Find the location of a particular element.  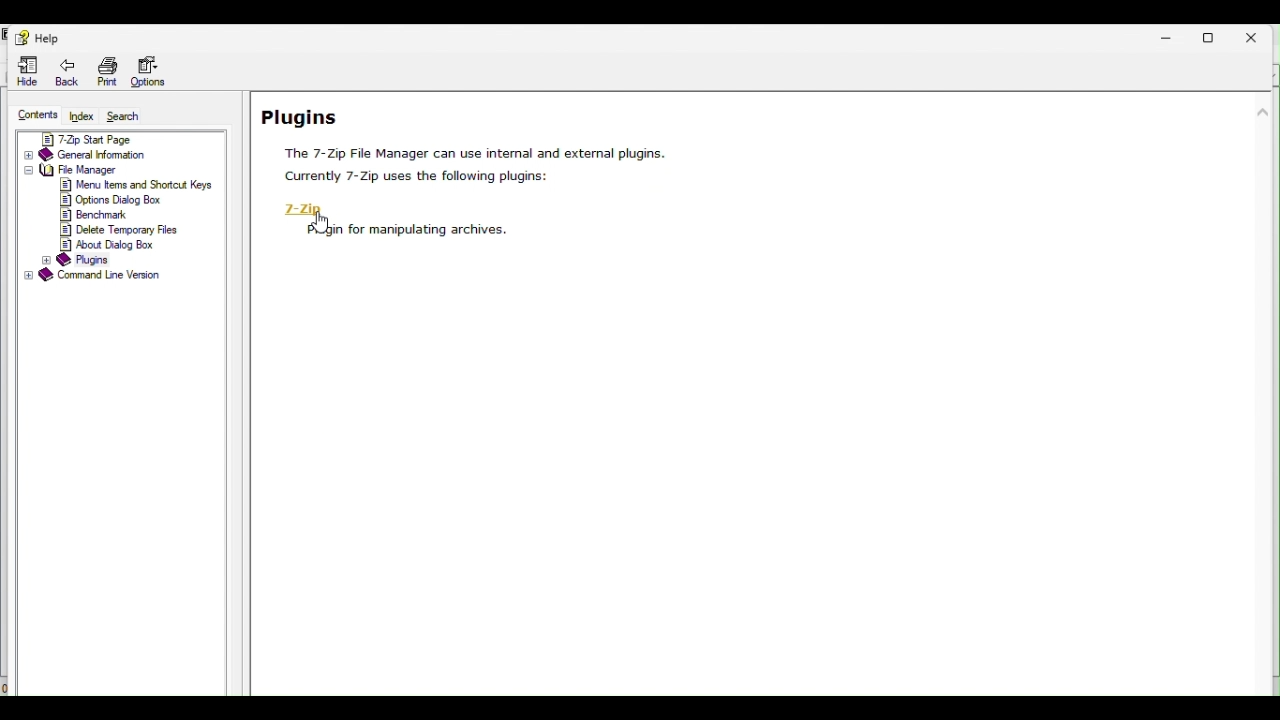

Back is located at coordinates (60, 71).